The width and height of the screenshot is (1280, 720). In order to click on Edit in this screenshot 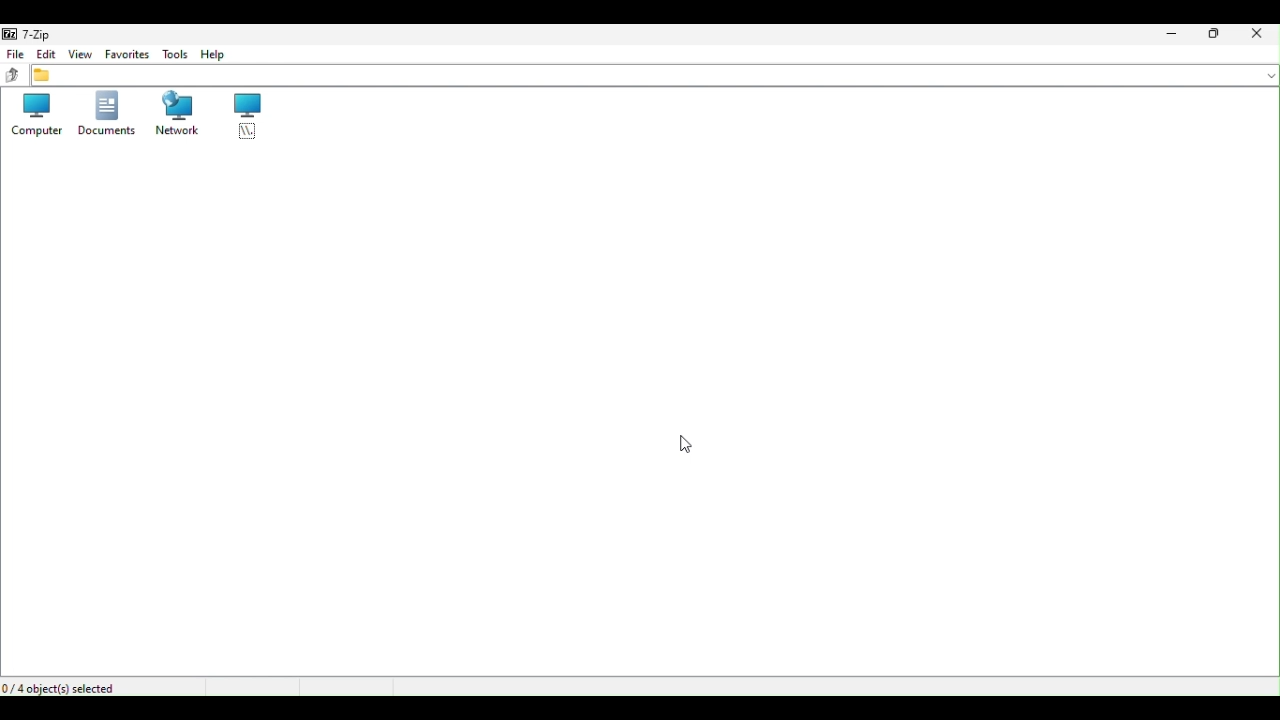, I will do `click(44, 54)`.